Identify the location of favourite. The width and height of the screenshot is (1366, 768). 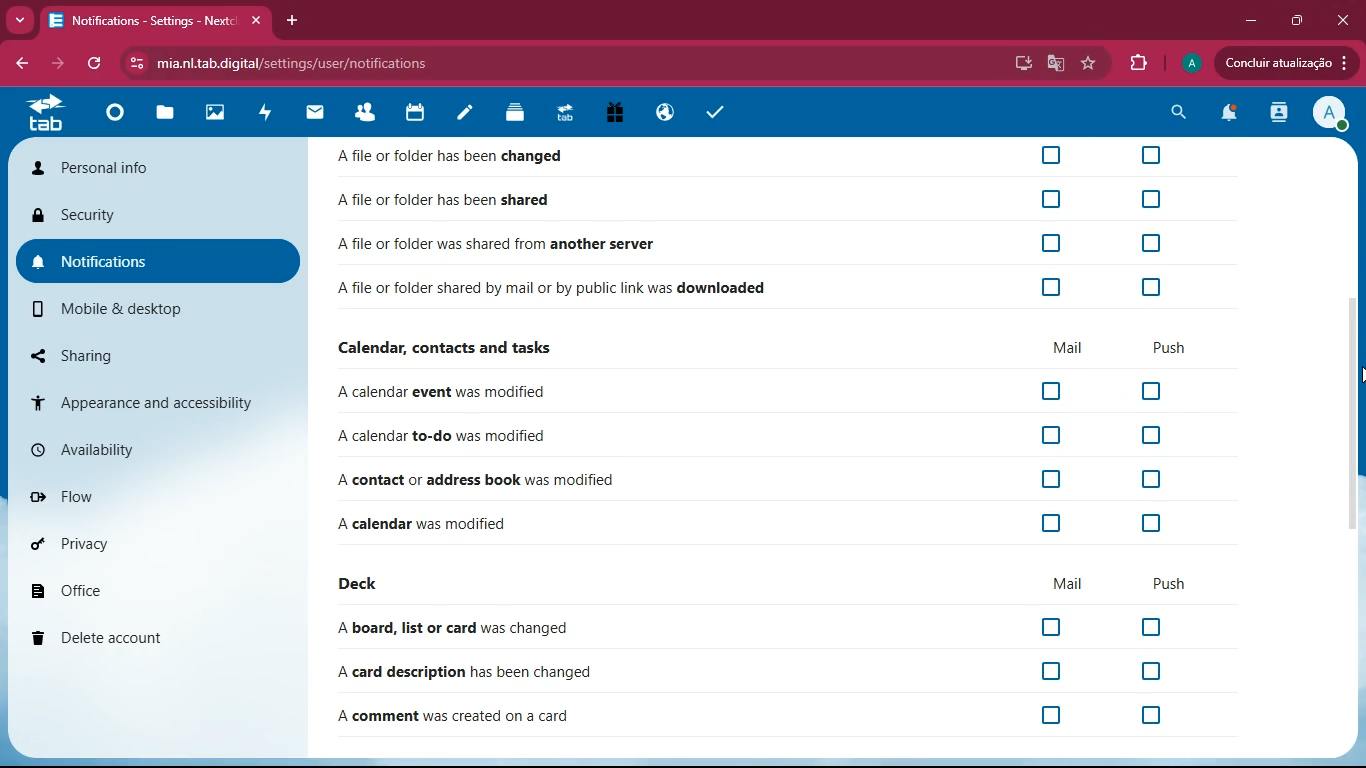
(1088, 63).